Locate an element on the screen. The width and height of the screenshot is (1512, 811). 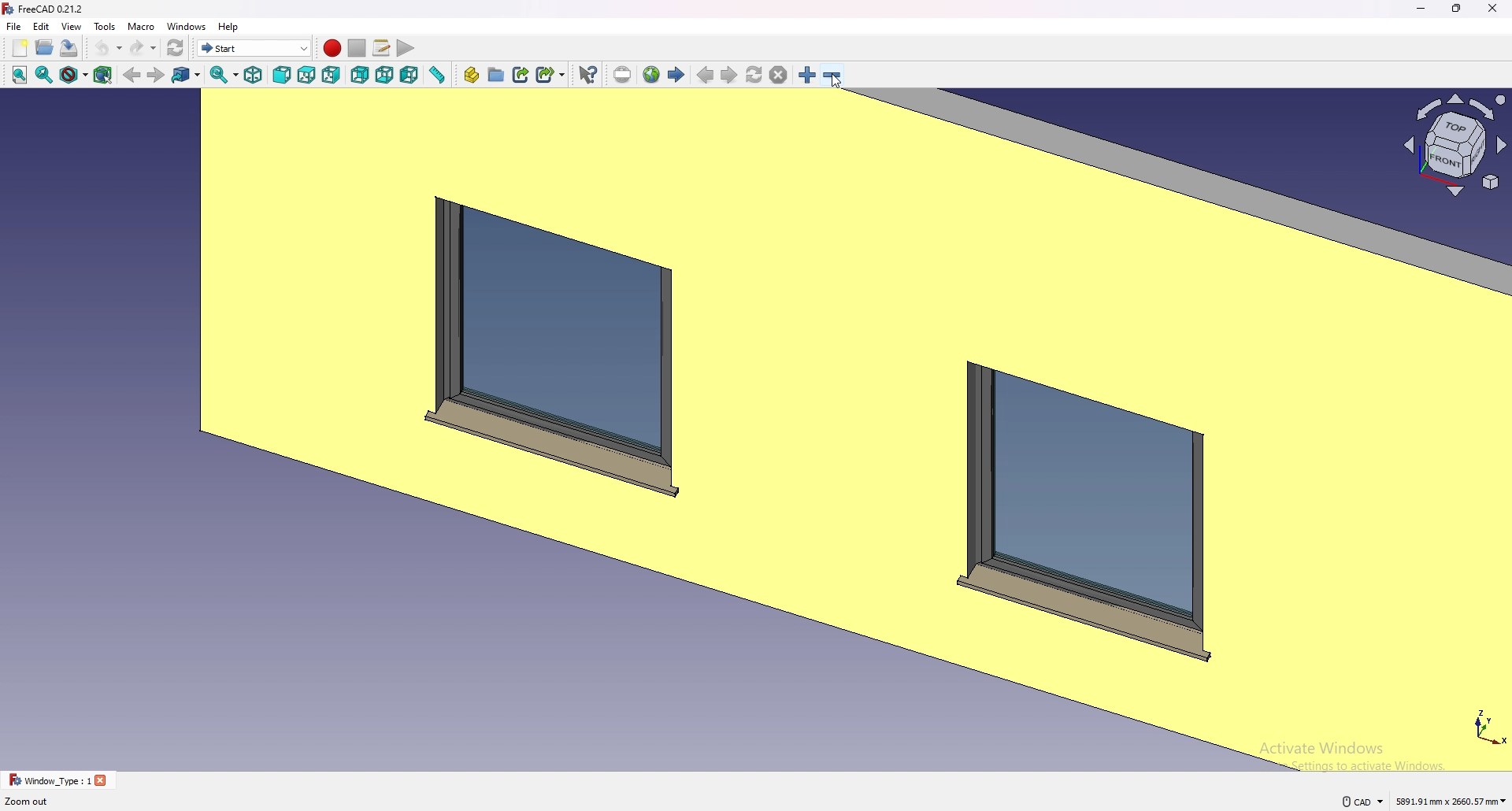
bounding box is located at coordinates (102, 76).